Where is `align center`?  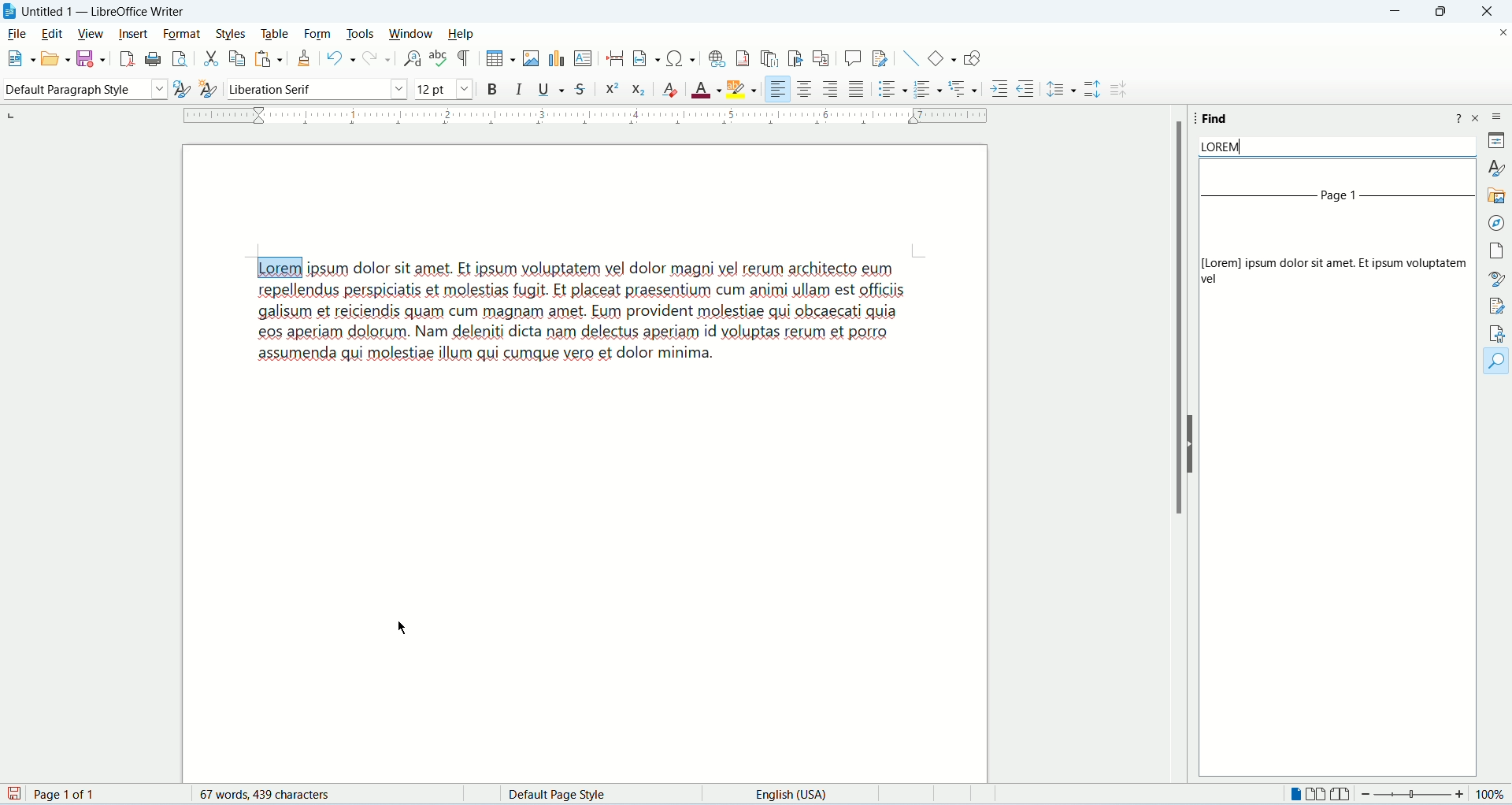
align center is located at coordinates (805, 90).